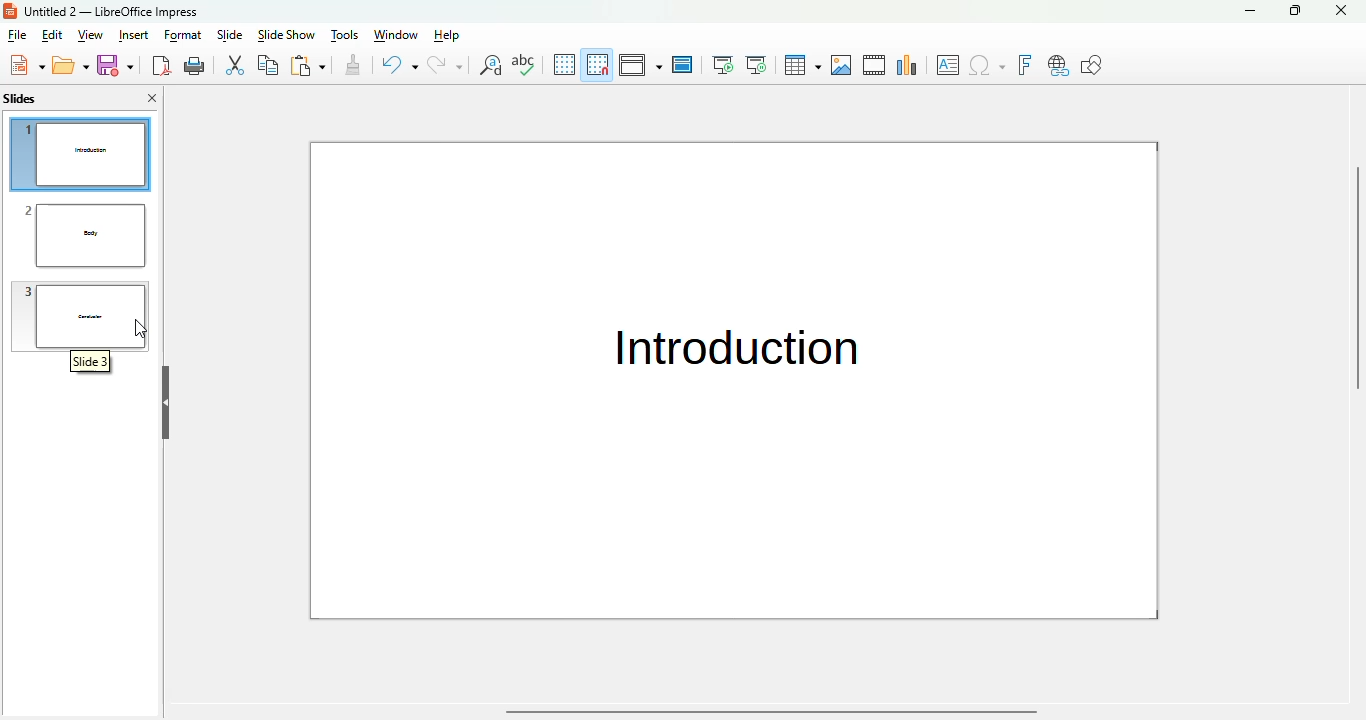 The image size is (1366, 720). I want to click on open, so click(71, 65).